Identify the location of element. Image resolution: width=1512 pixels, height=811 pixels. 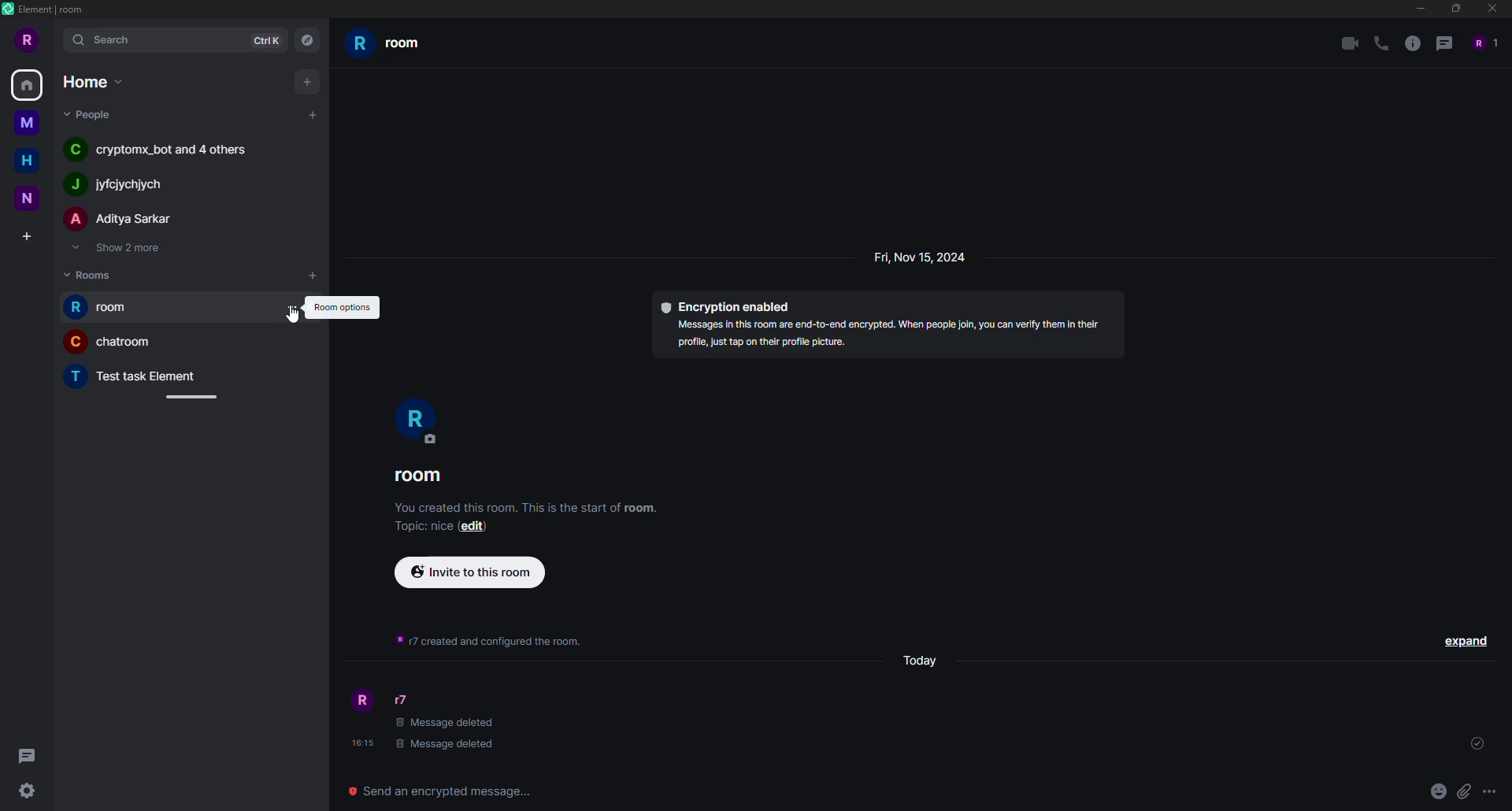
(47, 9).